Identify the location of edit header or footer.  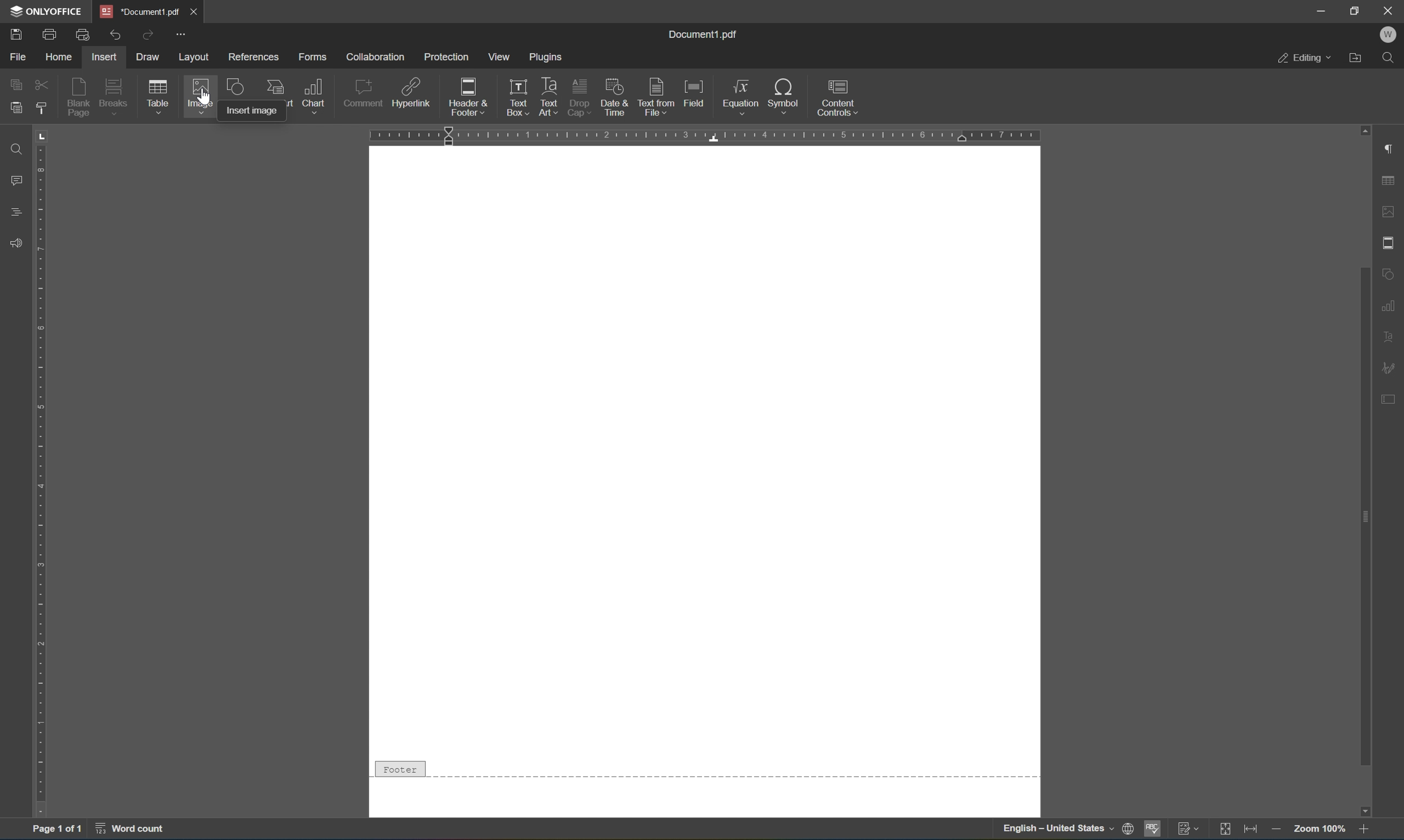
(528, 110).